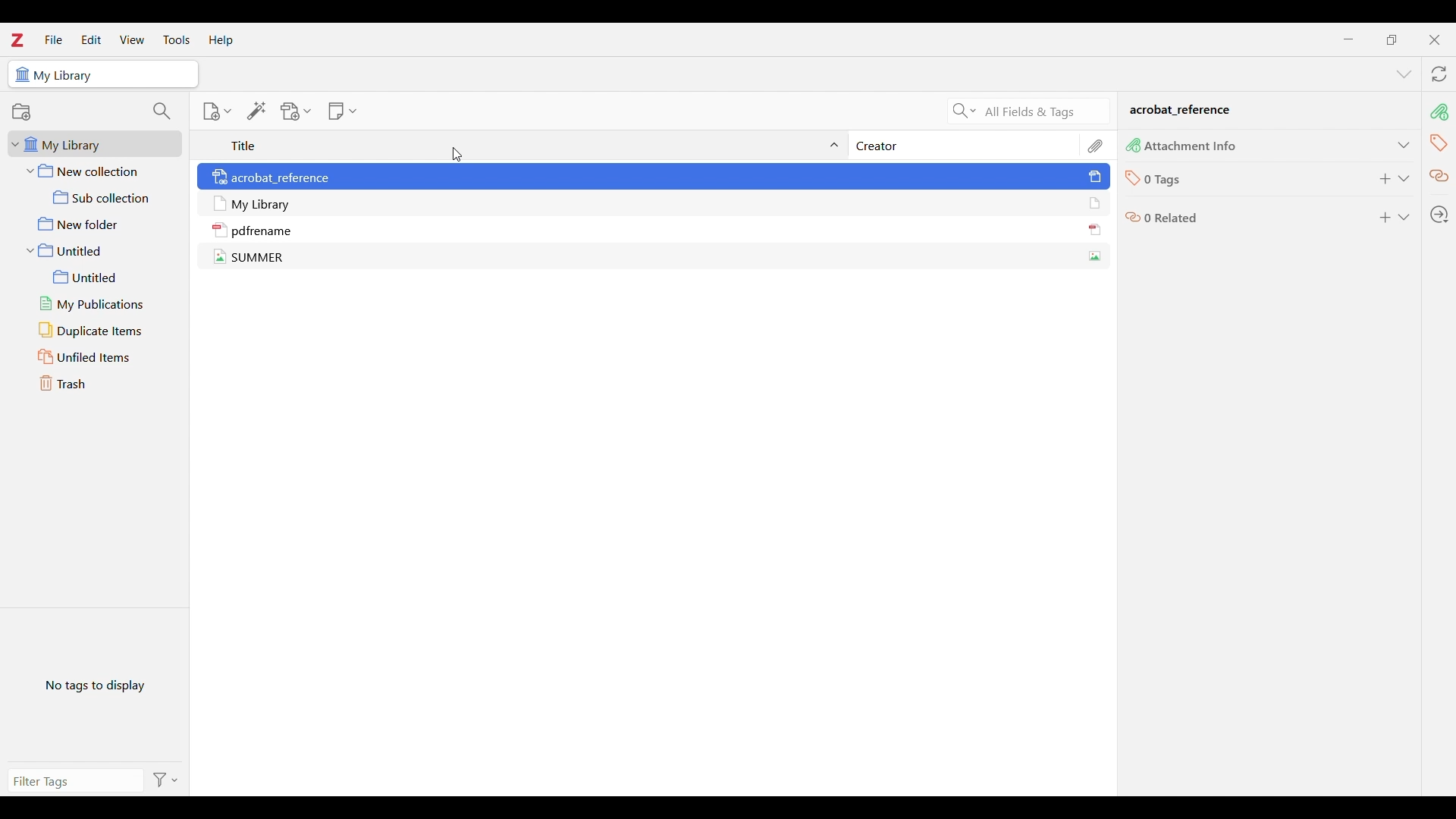  Describe the element at coordinates (244, 145) in the screenshot. I see `Title column` at that location.